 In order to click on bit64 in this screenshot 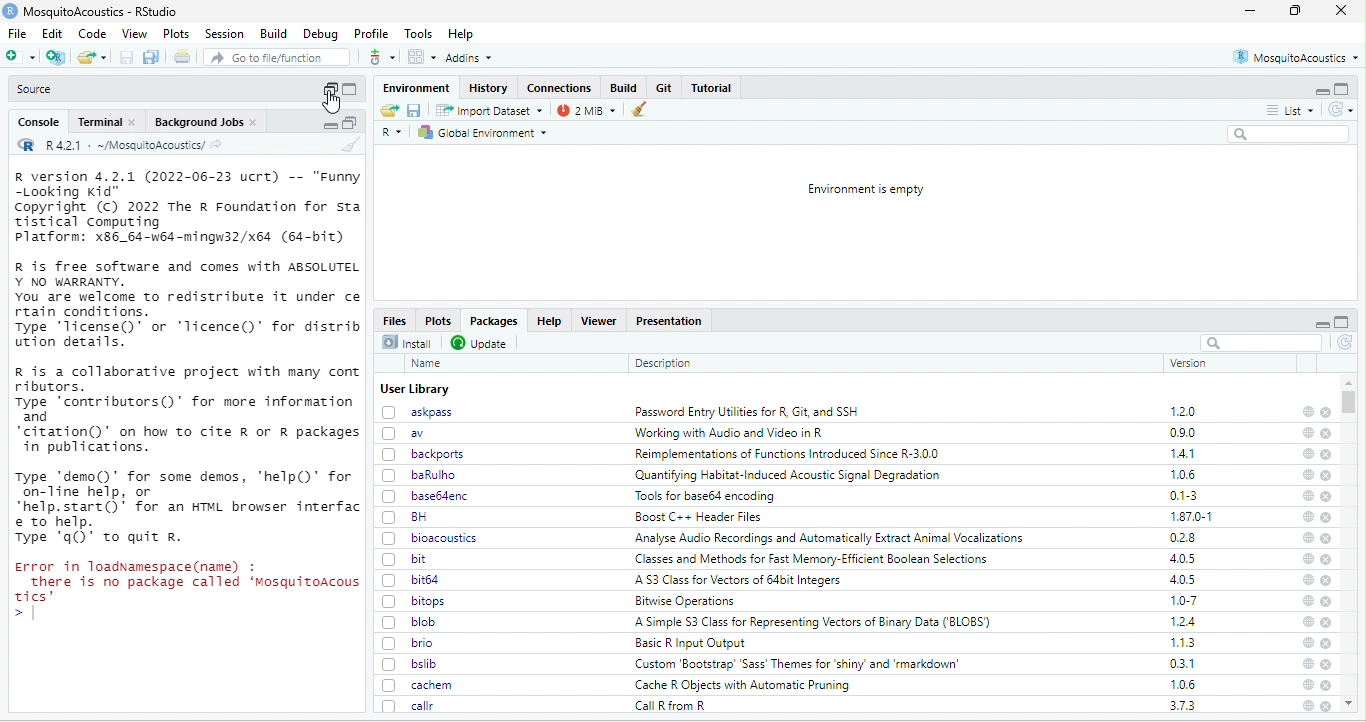, I will do `click(412, 579)`.